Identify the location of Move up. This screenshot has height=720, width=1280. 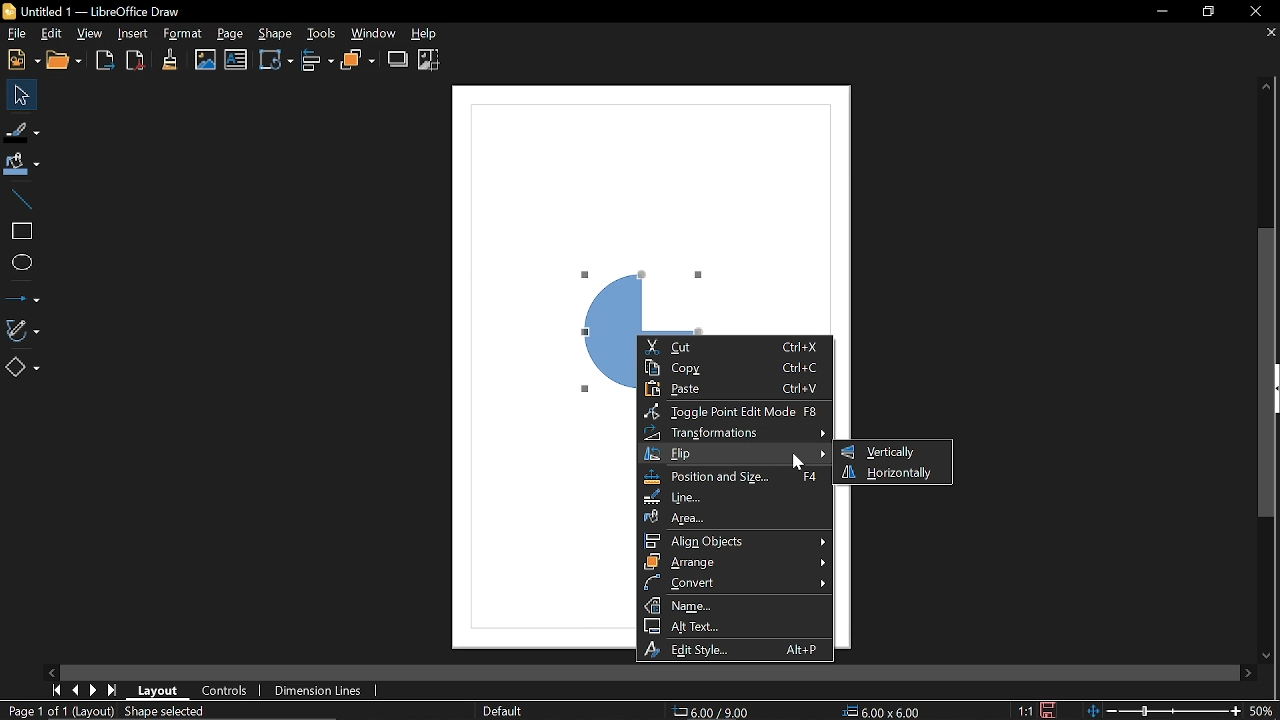
(1266, 87).